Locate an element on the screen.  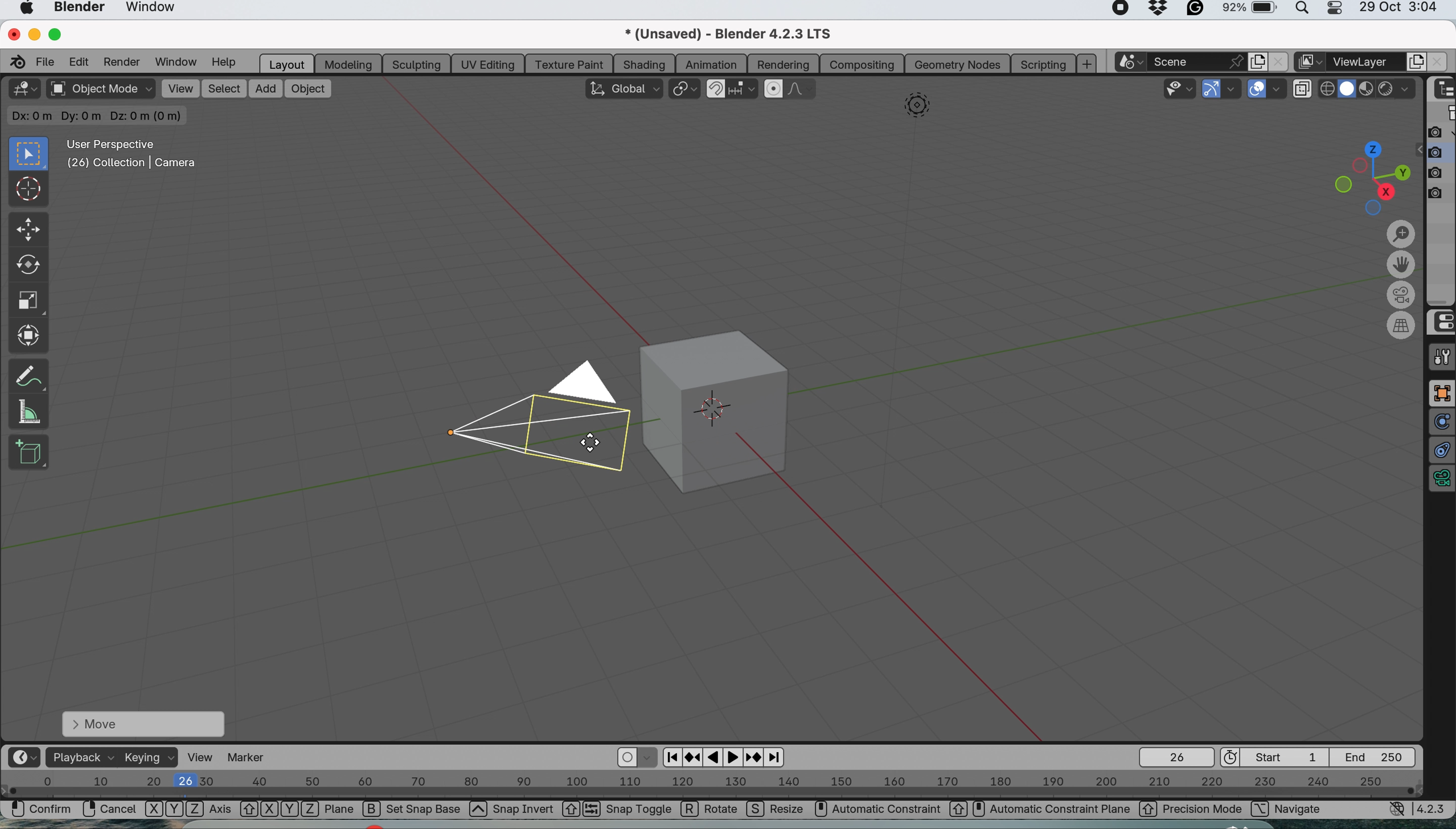
constraint is located at coordinates (1441, 451).